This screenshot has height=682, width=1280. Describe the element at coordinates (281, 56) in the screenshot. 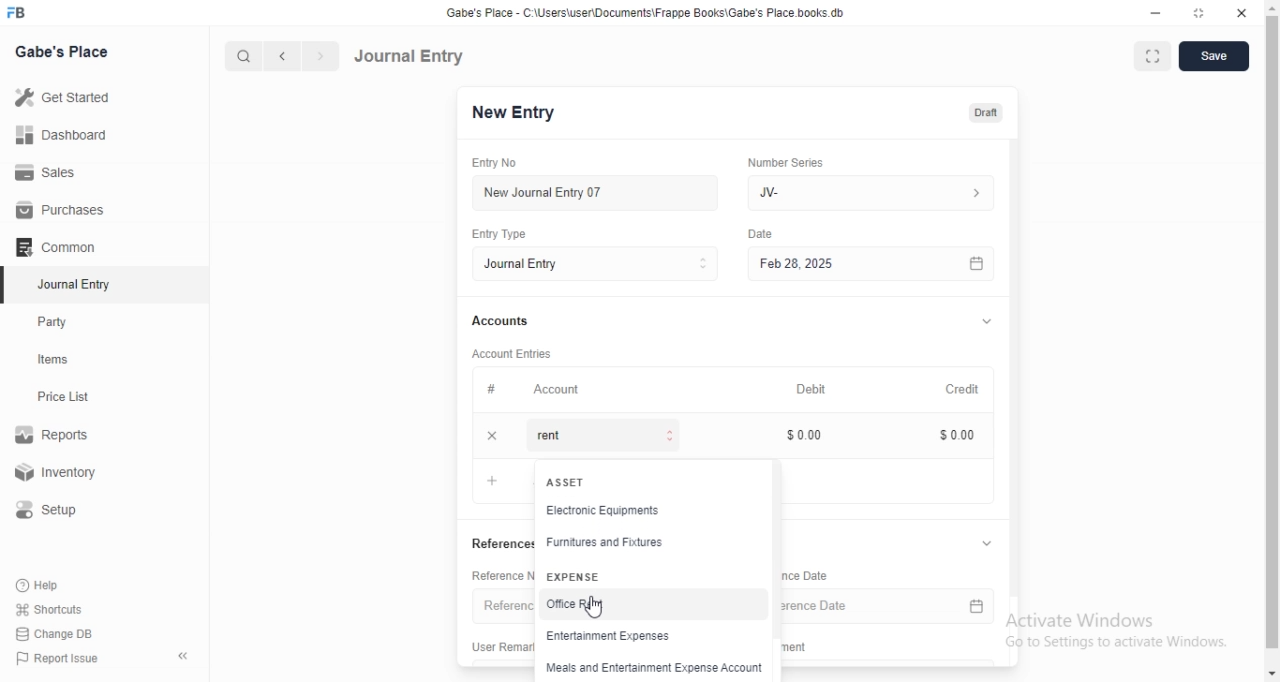

I see `backward` at that location.